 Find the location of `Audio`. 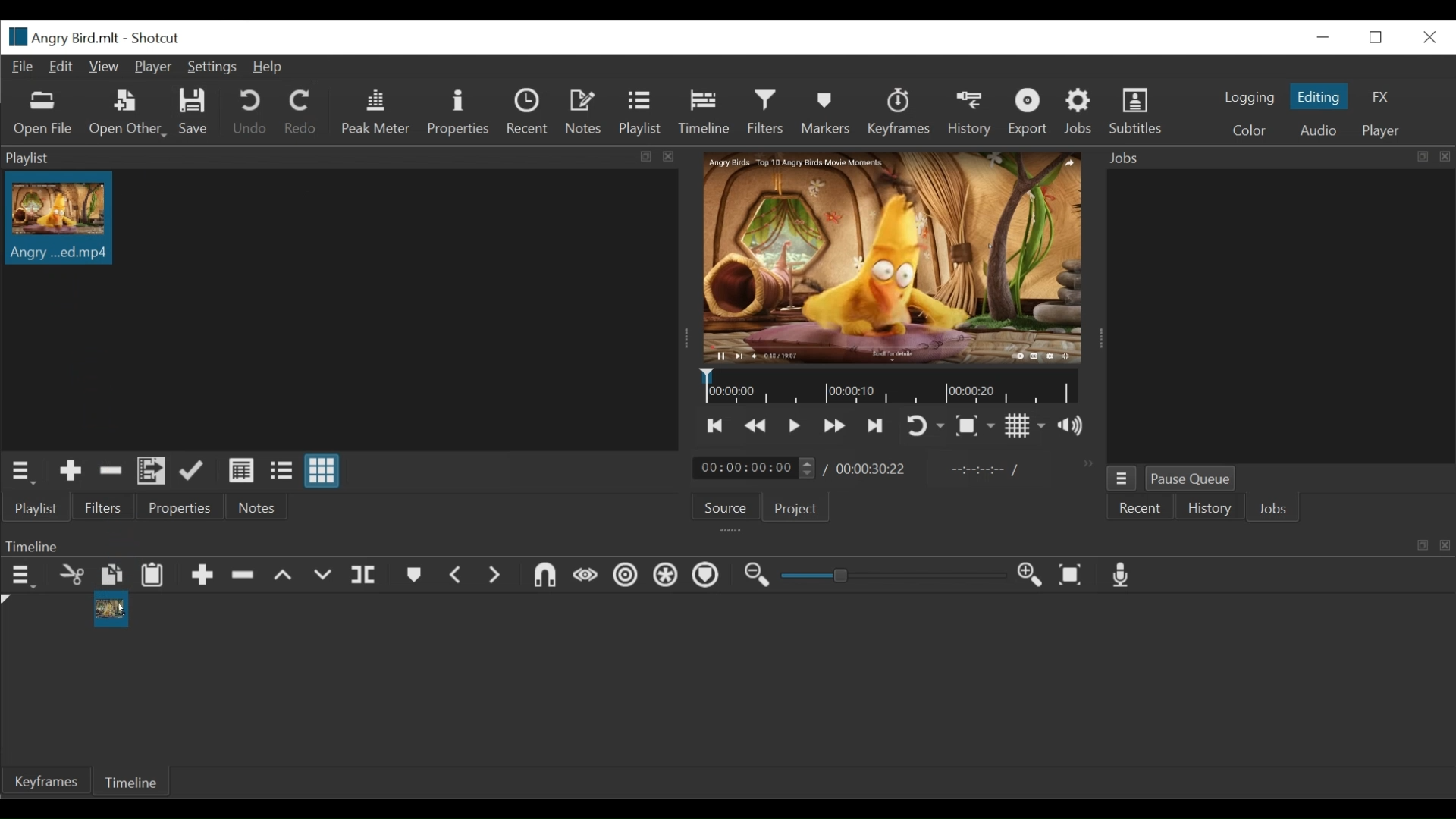

Audio is located at coordinates (1319, 129).